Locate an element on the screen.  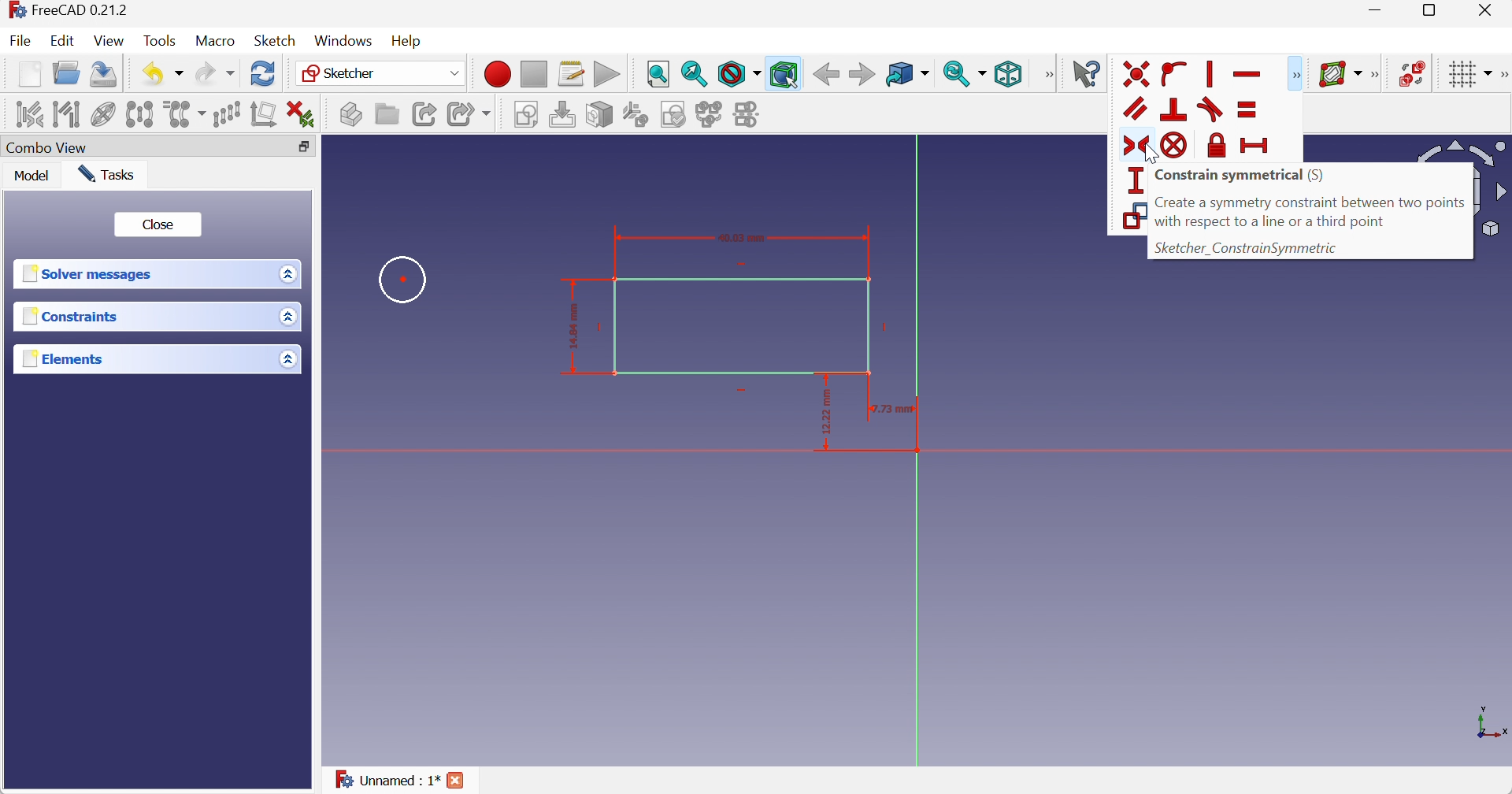
Rectangular array is located at coordinates (228, 114).